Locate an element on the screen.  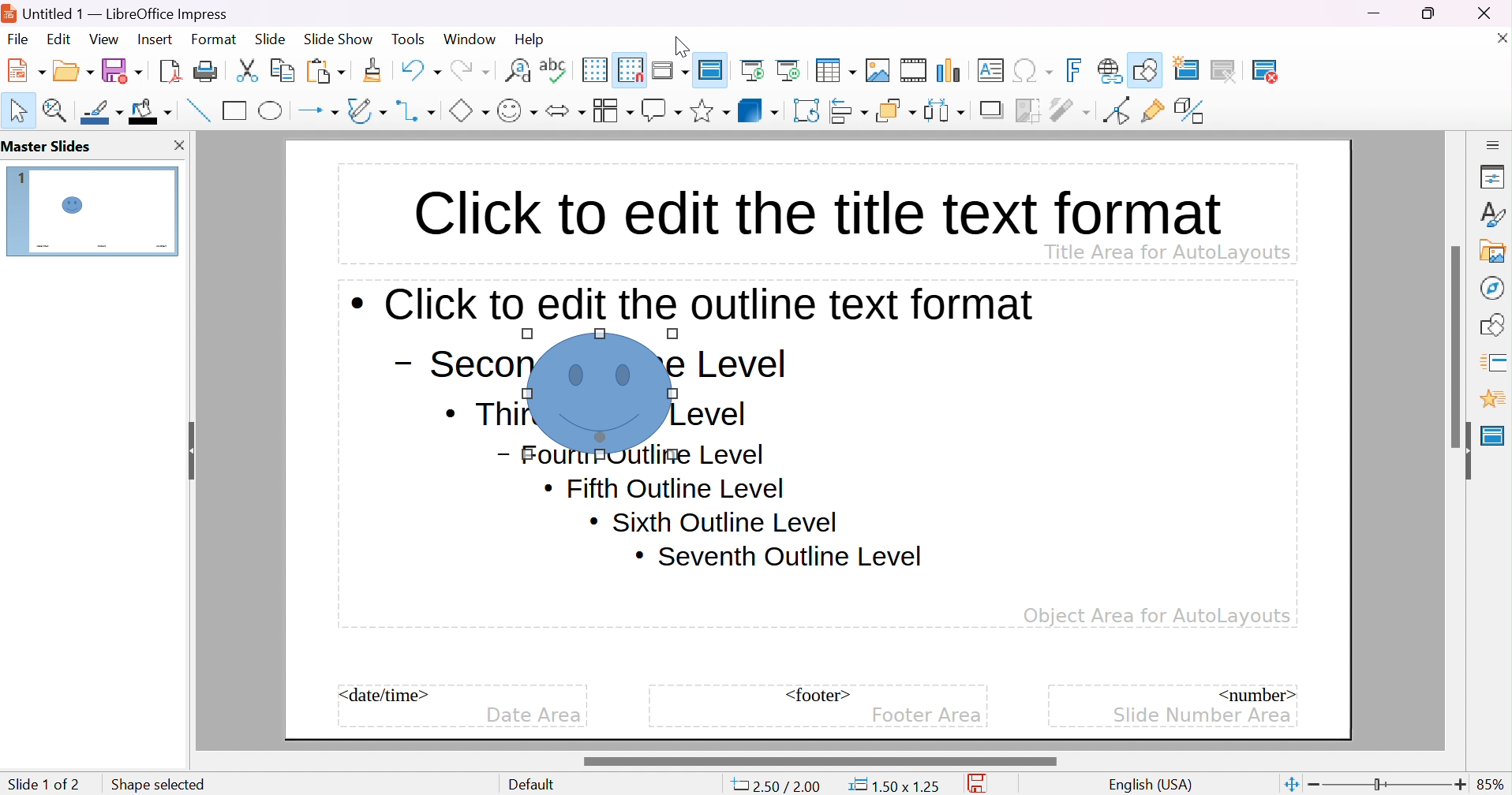
cursor is located at coordinates (660, 460).